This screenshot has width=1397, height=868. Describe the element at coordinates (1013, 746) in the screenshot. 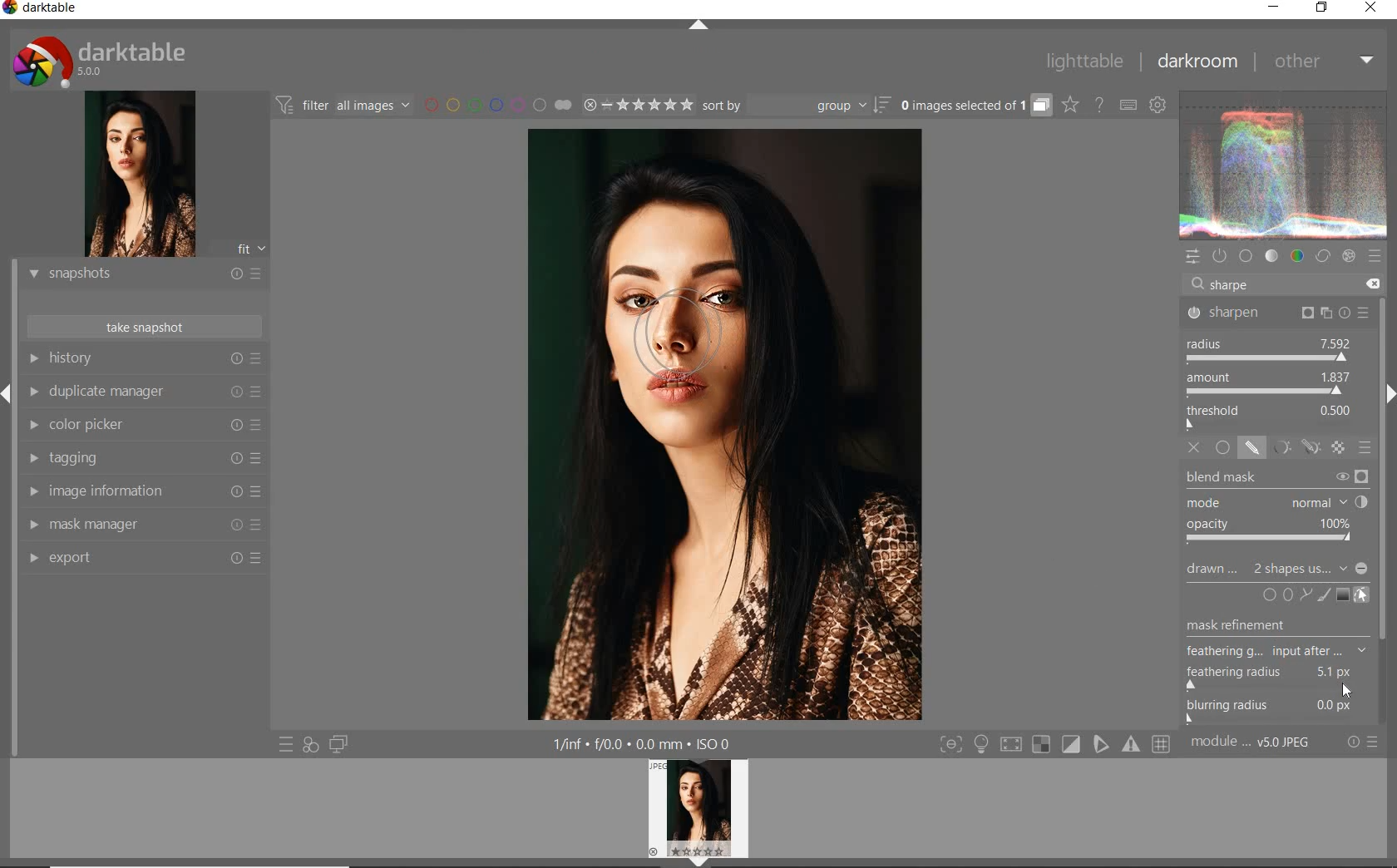

I see `sign ` at that location.